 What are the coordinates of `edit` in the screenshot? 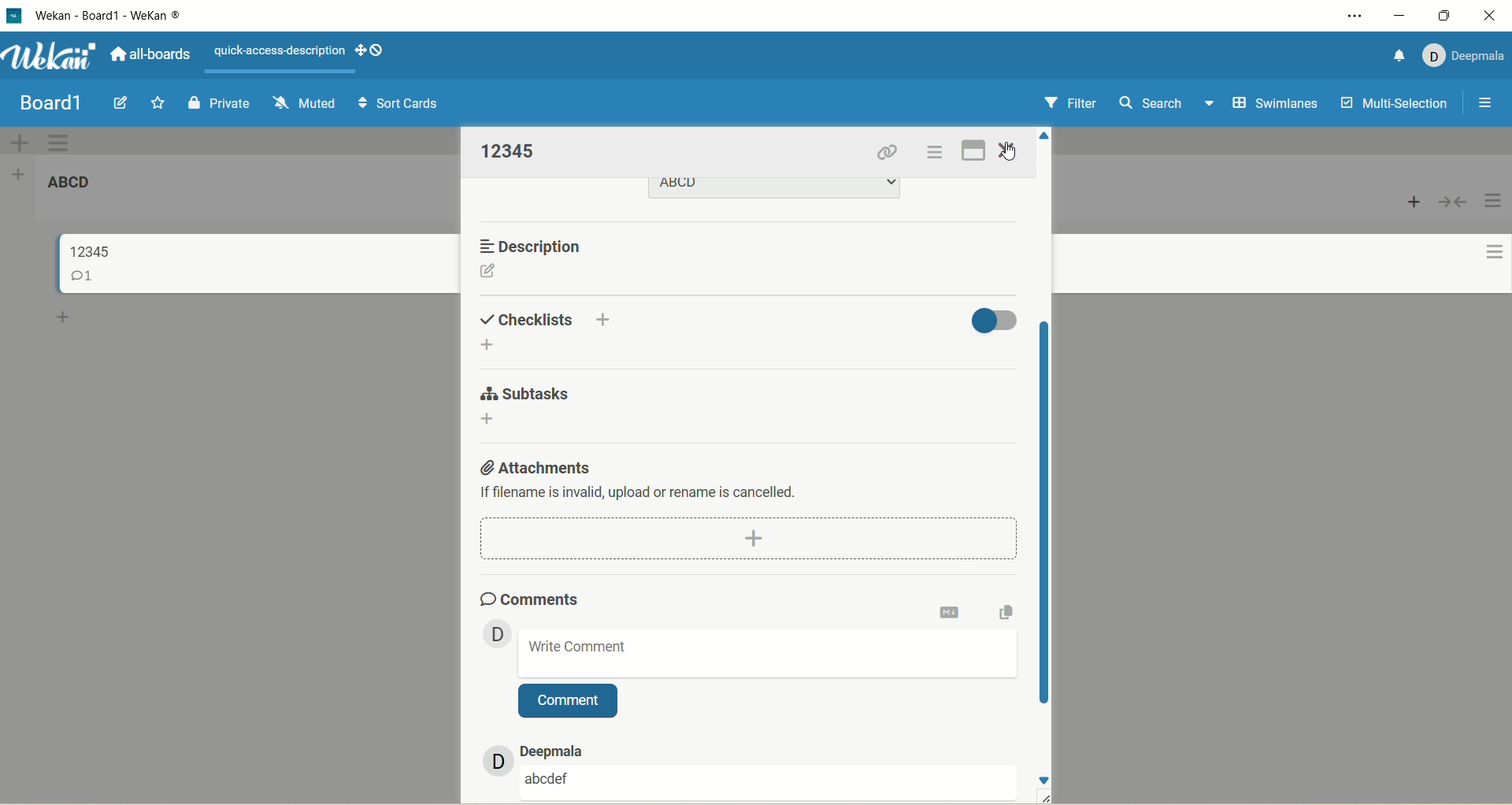 It's located at (120, 103).